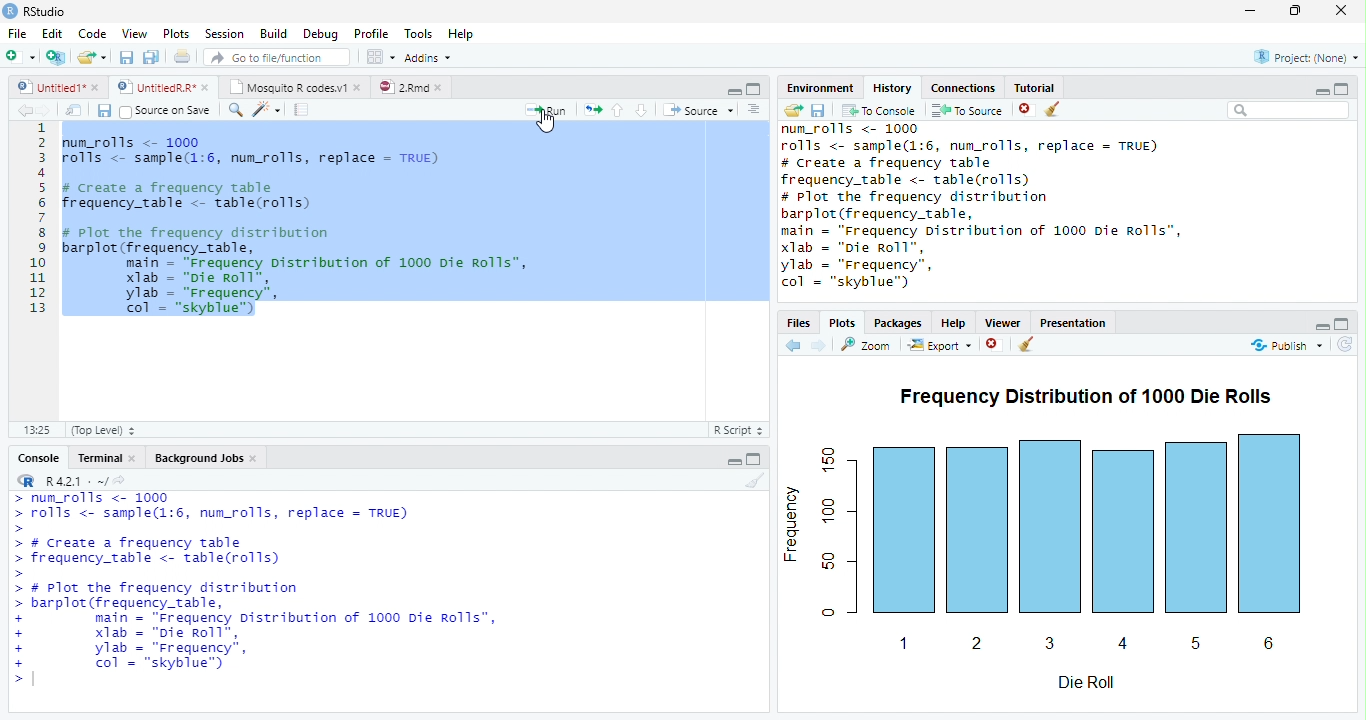 The height and width of the screenshot is (720, 1366). I want to click on R Script, so click(739, 430).